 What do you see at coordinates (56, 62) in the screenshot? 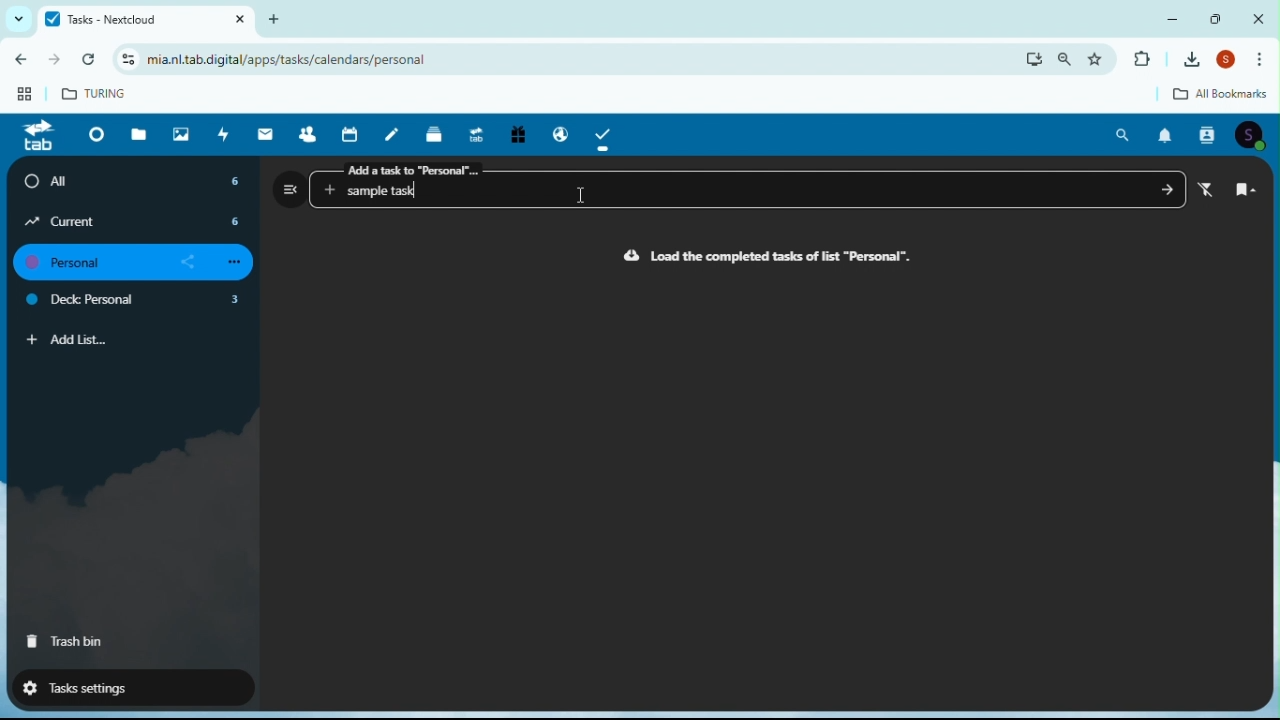
I see `fordward` at bounding box center [56, 62].